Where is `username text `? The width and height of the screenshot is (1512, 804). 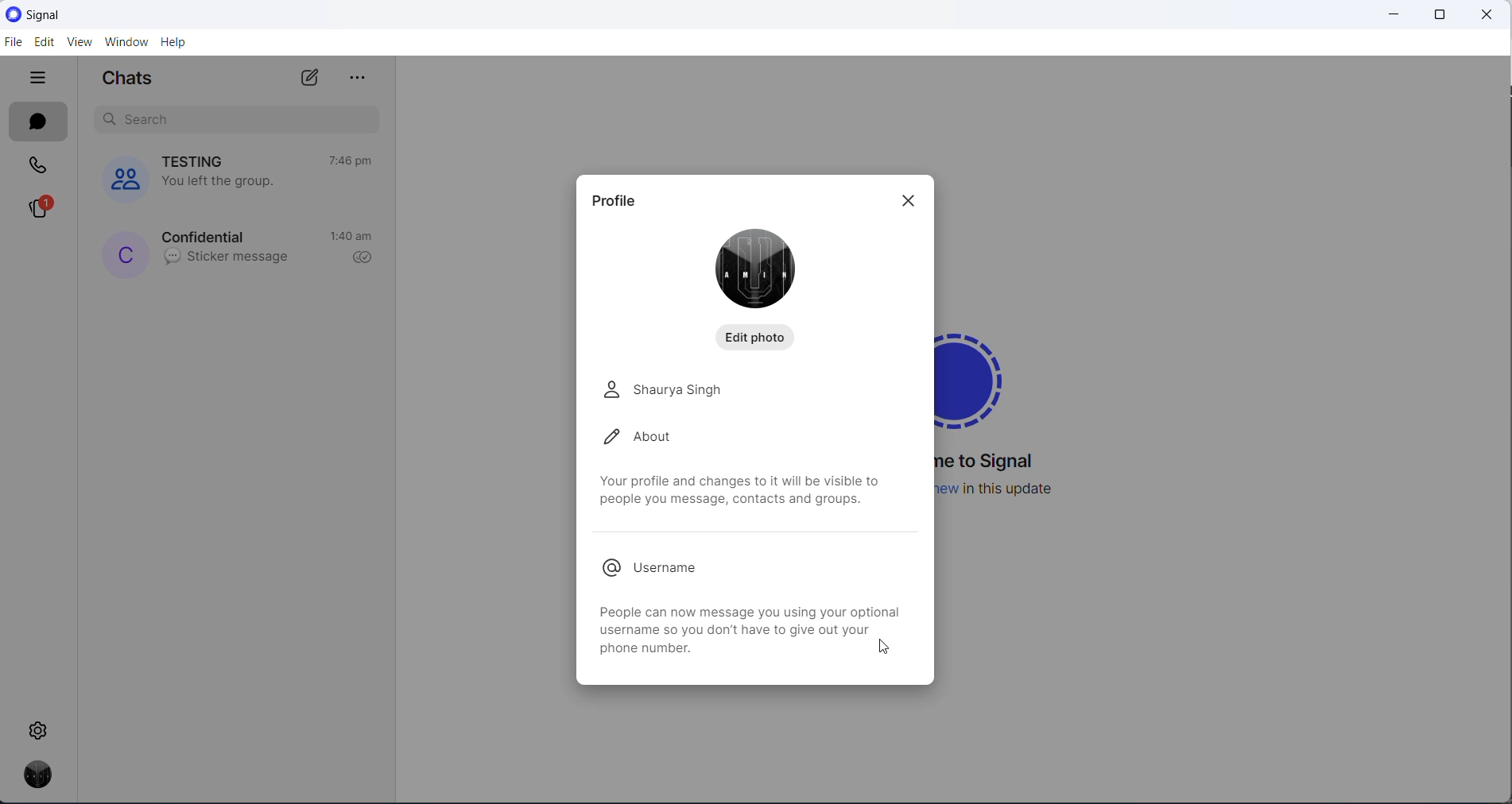
username text  is located at coordinates (743, 626).